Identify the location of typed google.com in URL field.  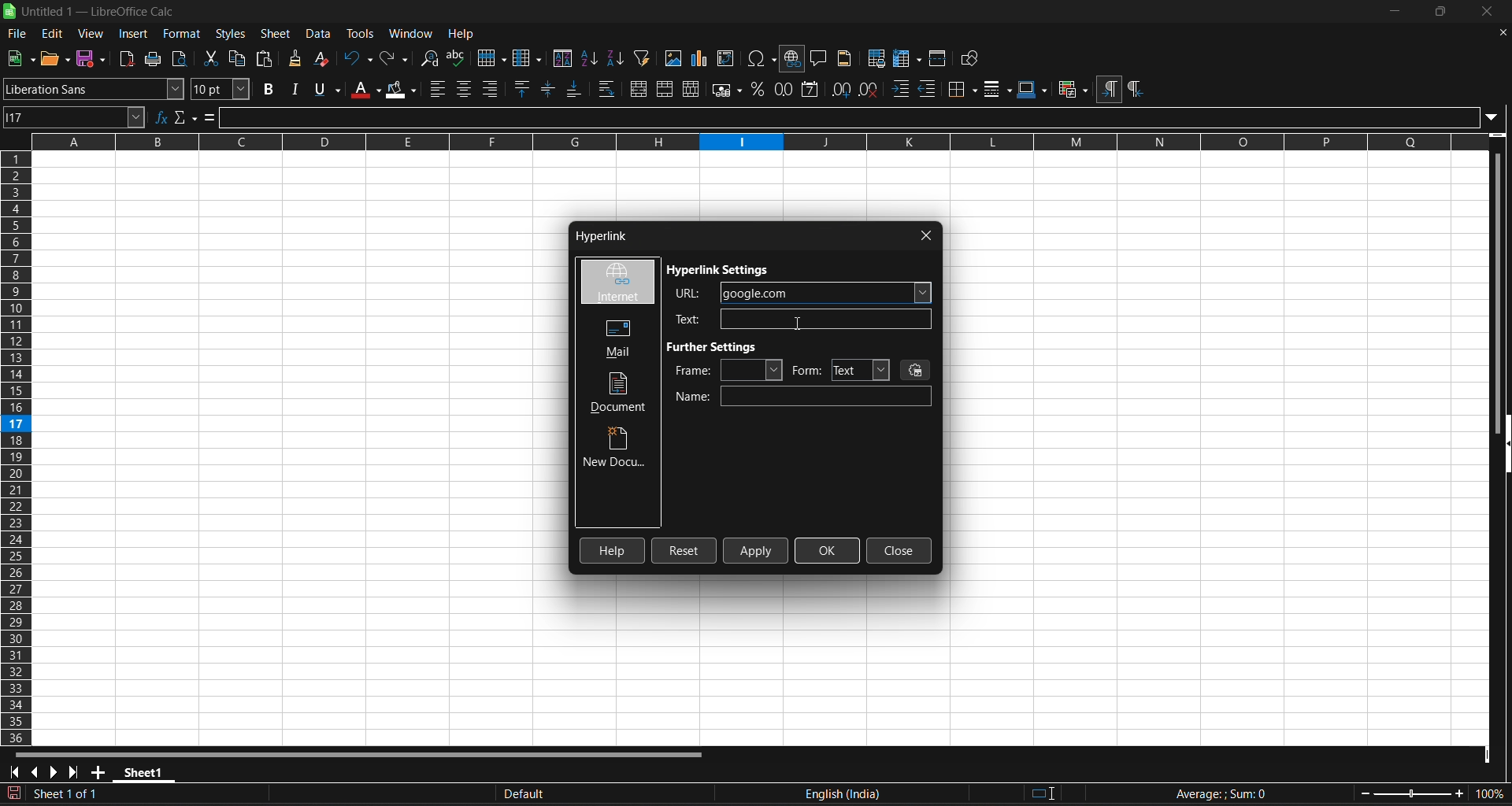
(803, 293).